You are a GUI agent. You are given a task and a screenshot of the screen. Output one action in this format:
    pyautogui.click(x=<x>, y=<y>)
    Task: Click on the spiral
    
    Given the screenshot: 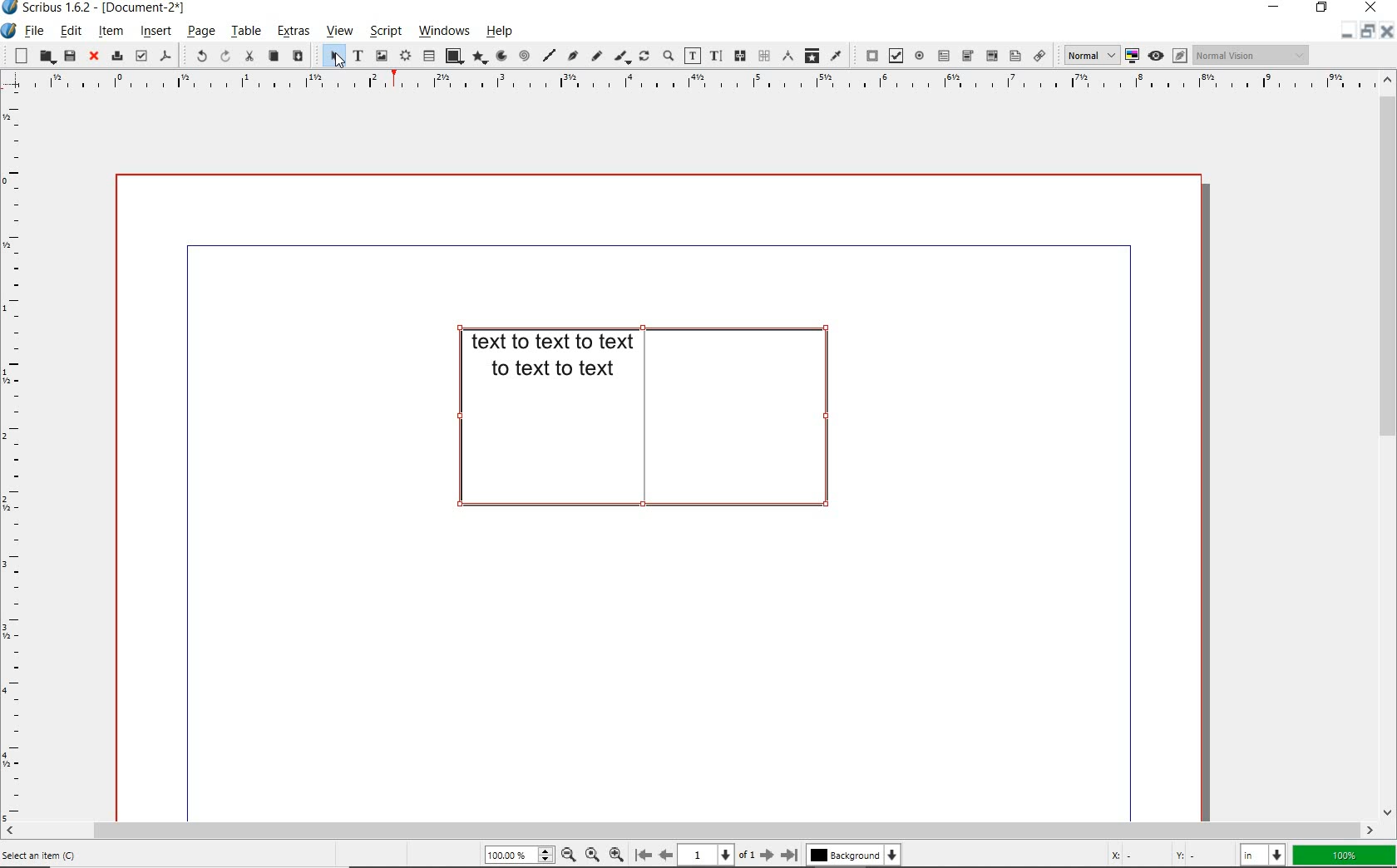 What is the action you would take?
    pyautogui.click(x=524, y=55)
    